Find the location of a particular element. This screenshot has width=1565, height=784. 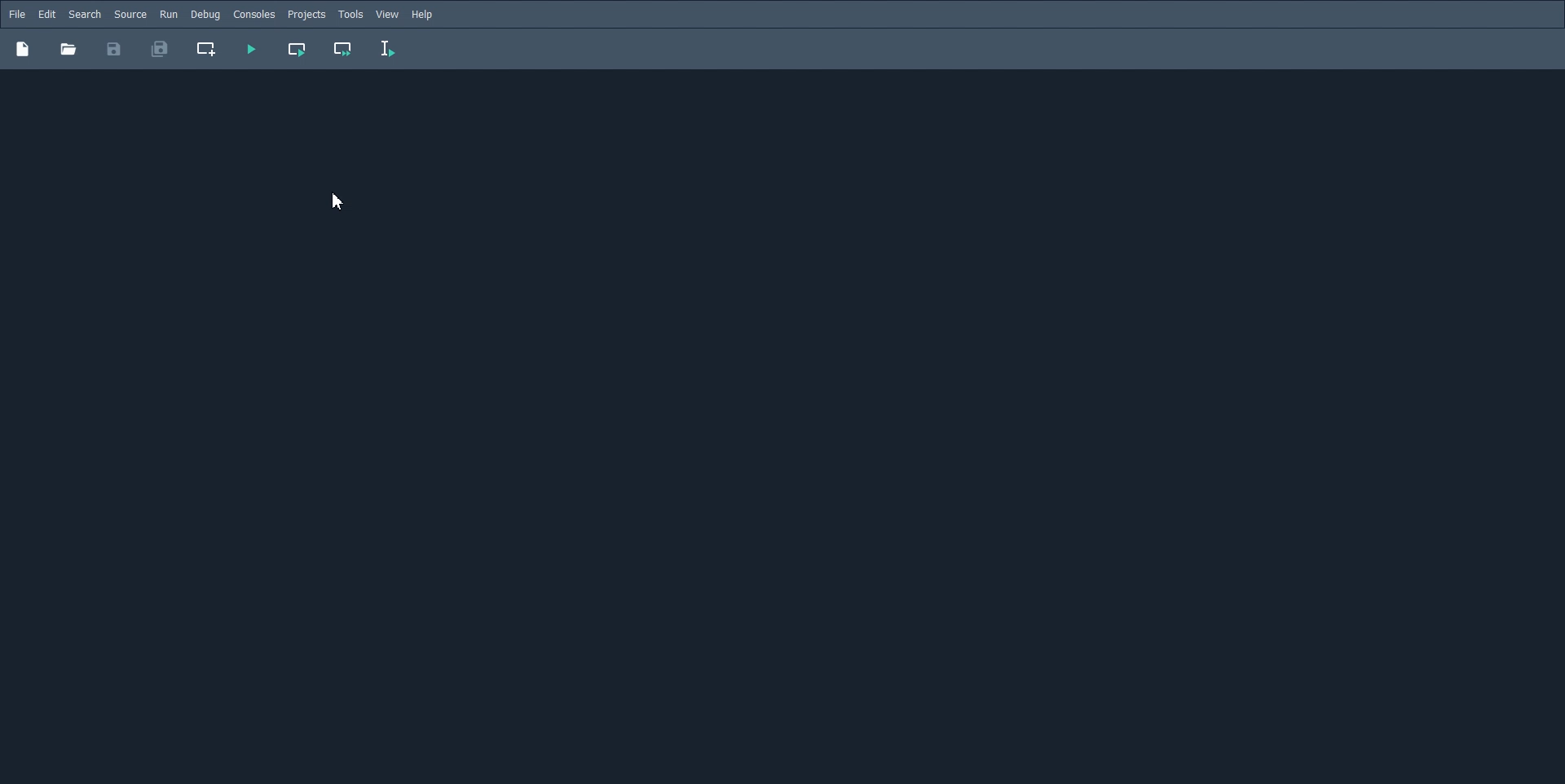

Run File is located at coordinates (250, 49).